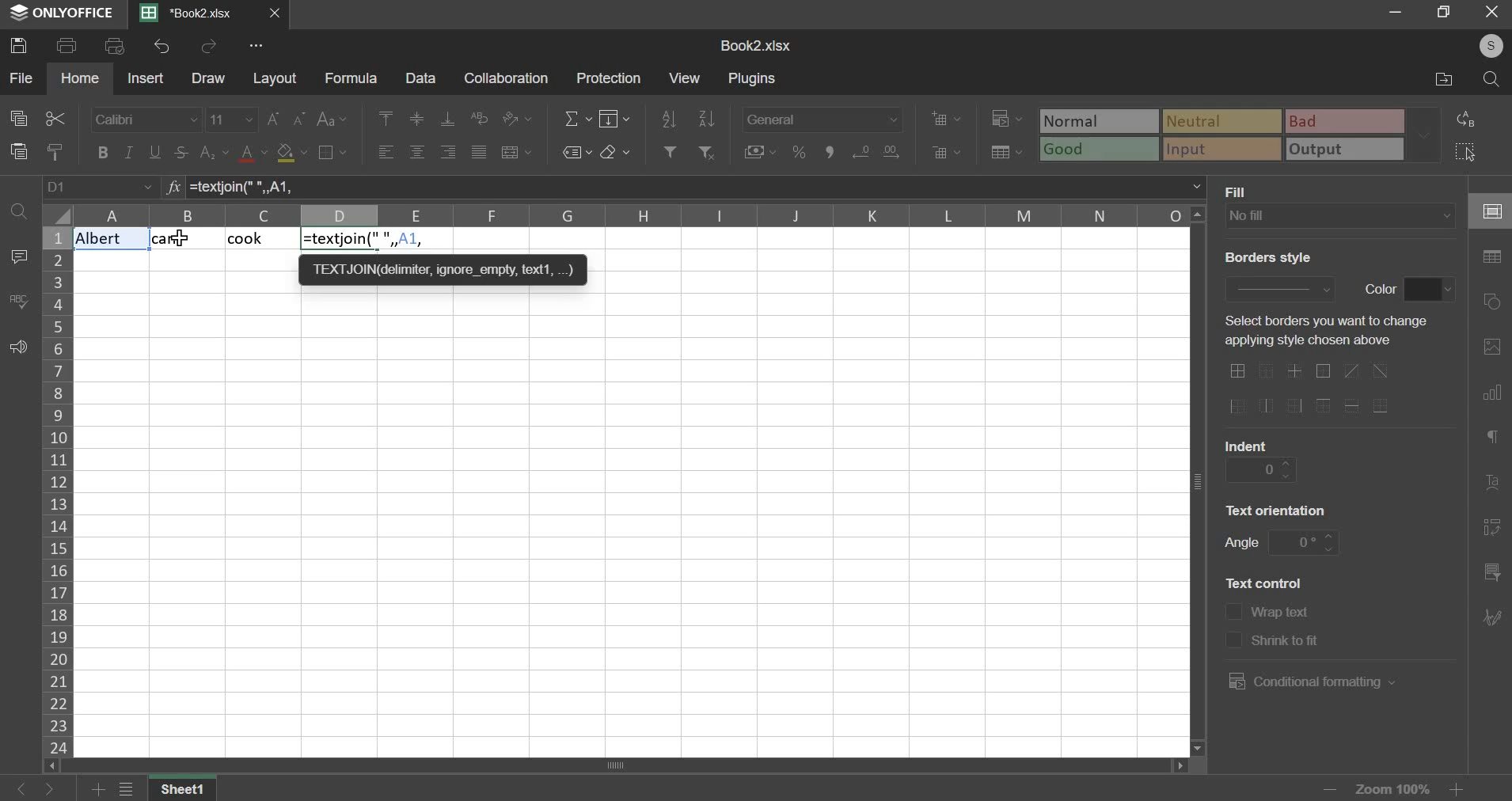  I want to click on align middle, so click(419, 119).